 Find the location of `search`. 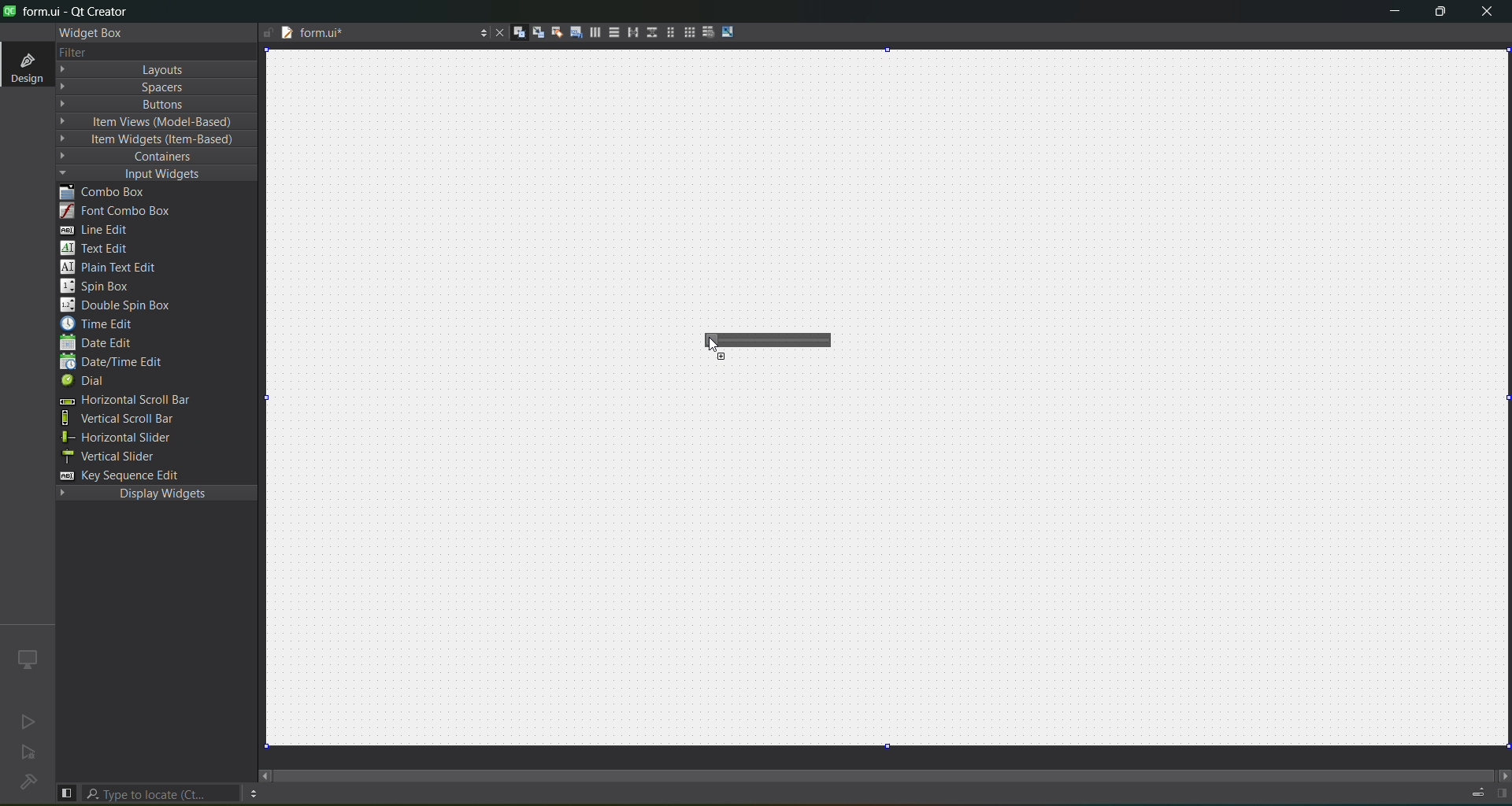

search is located at coordinates (161, 794).